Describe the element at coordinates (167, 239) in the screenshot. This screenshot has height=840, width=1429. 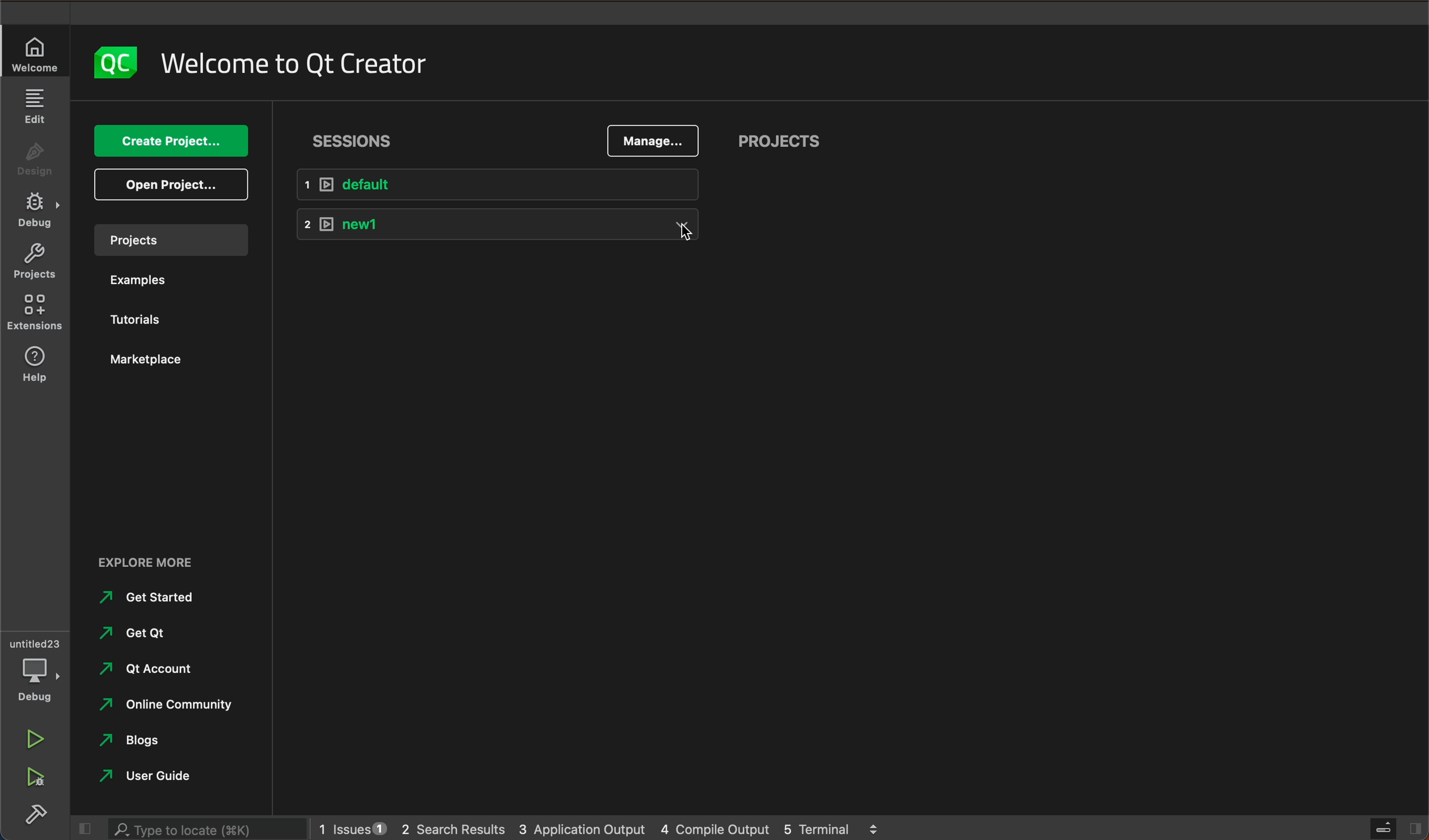
I see `projects` at that location.